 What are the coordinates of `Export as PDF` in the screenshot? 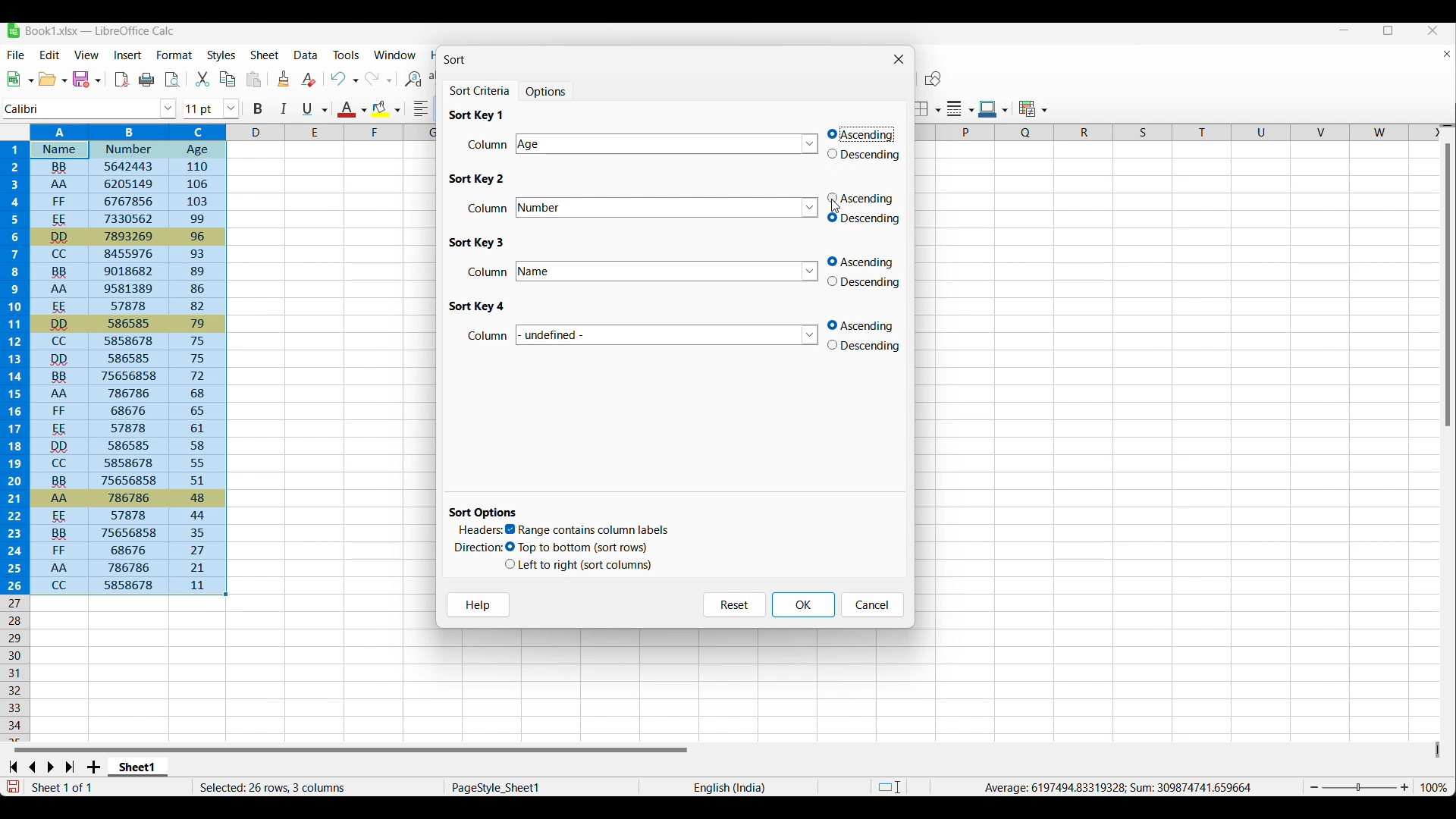 It's located at (123, 80).